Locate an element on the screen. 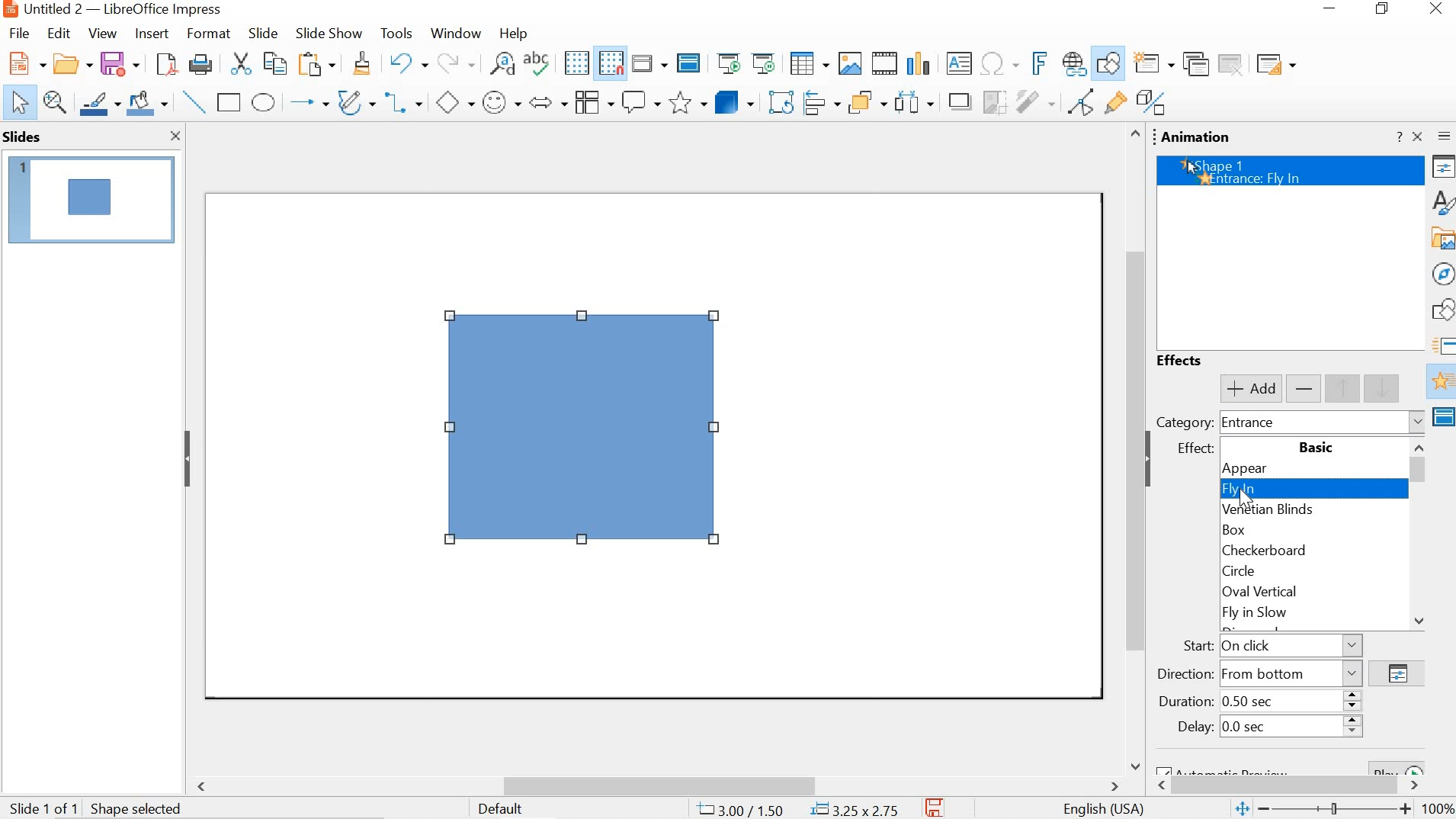  slide is located at coordinates (263, 32).